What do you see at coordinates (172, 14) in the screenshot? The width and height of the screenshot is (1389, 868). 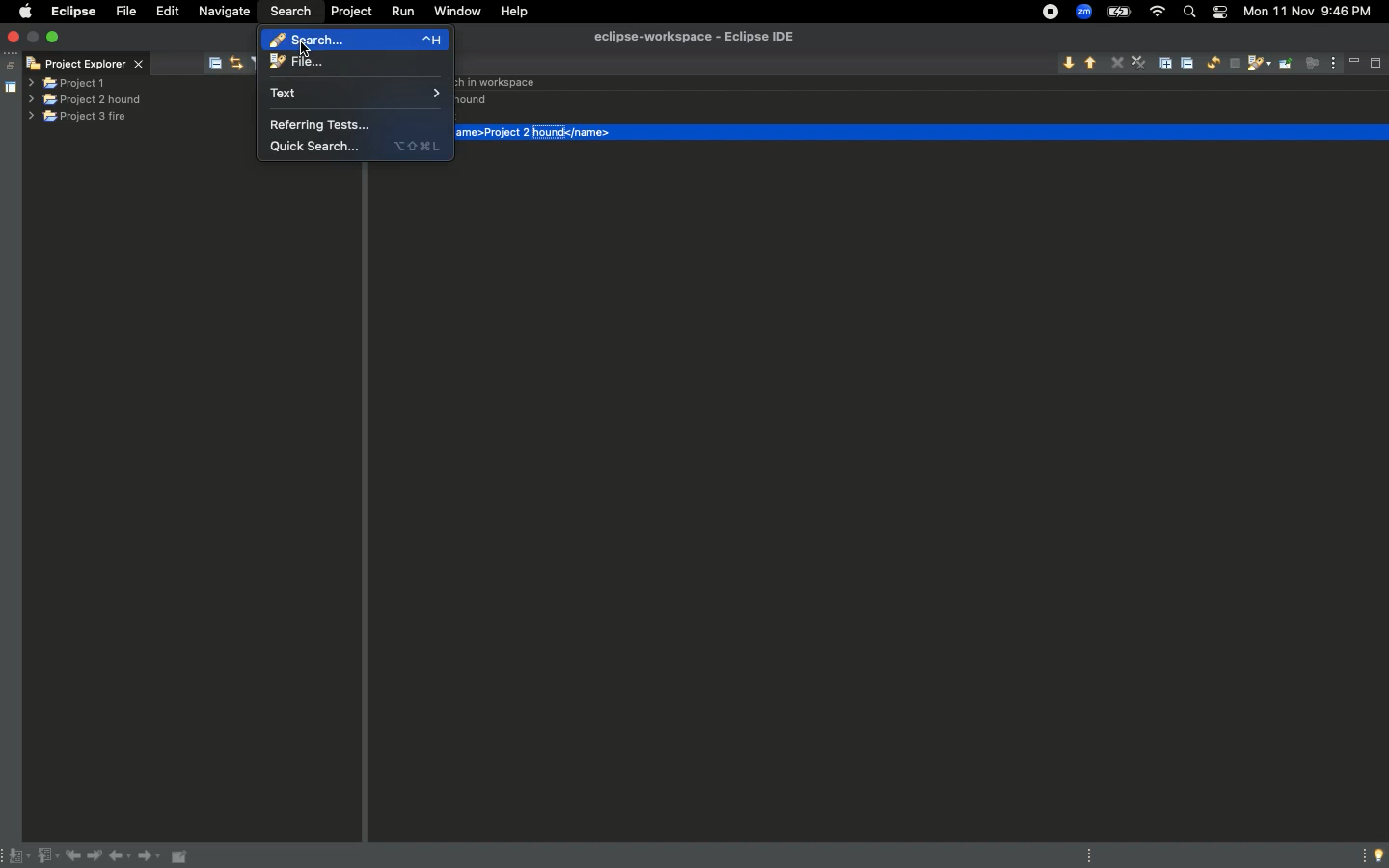 I see `Edit` at bounding box center [172, 14].